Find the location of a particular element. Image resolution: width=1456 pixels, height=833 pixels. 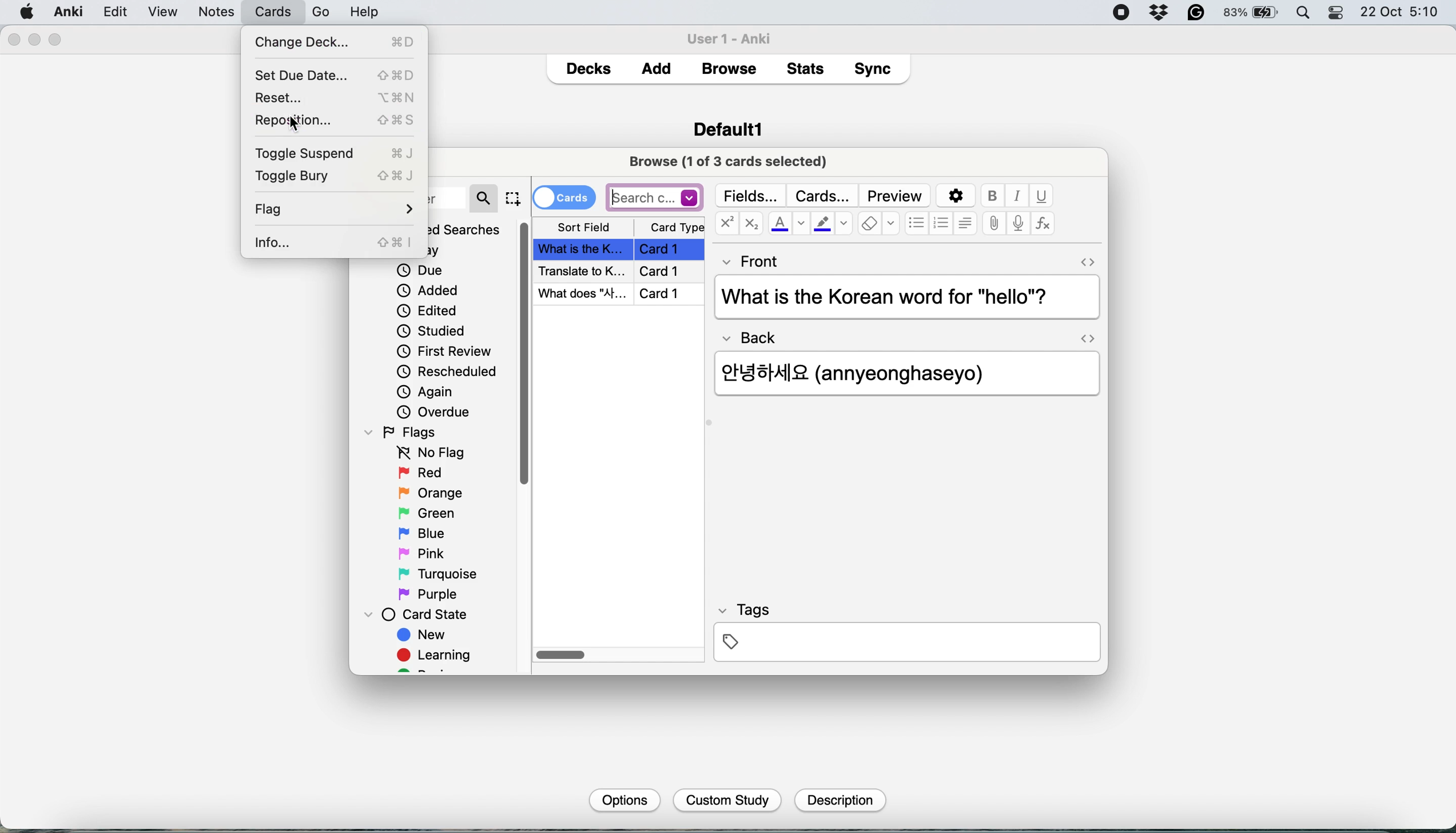

subscript is located at coordinates (749, 225).